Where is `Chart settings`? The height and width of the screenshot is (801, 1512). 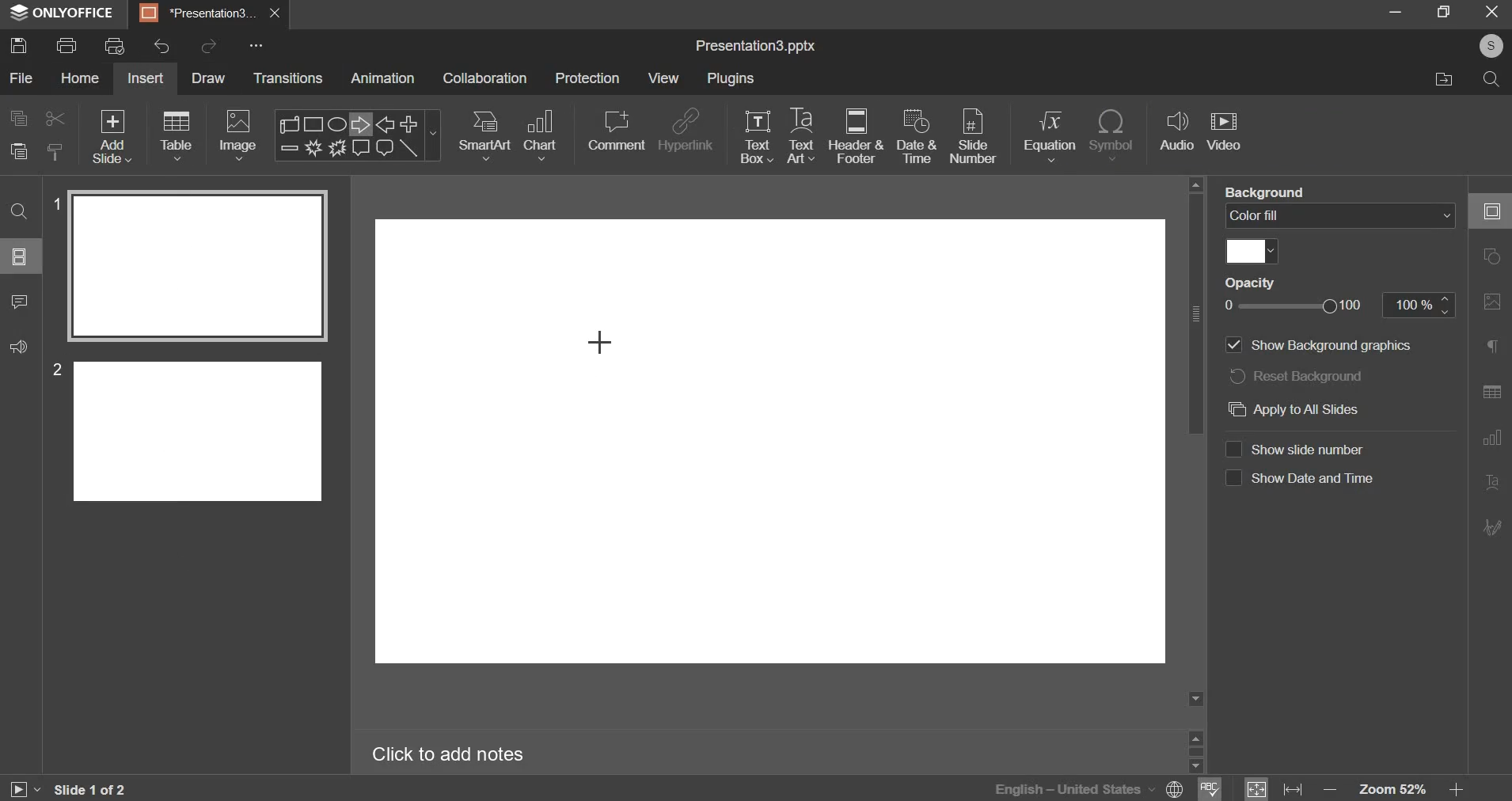 Chart settings is located at coordinates (1492, 438).